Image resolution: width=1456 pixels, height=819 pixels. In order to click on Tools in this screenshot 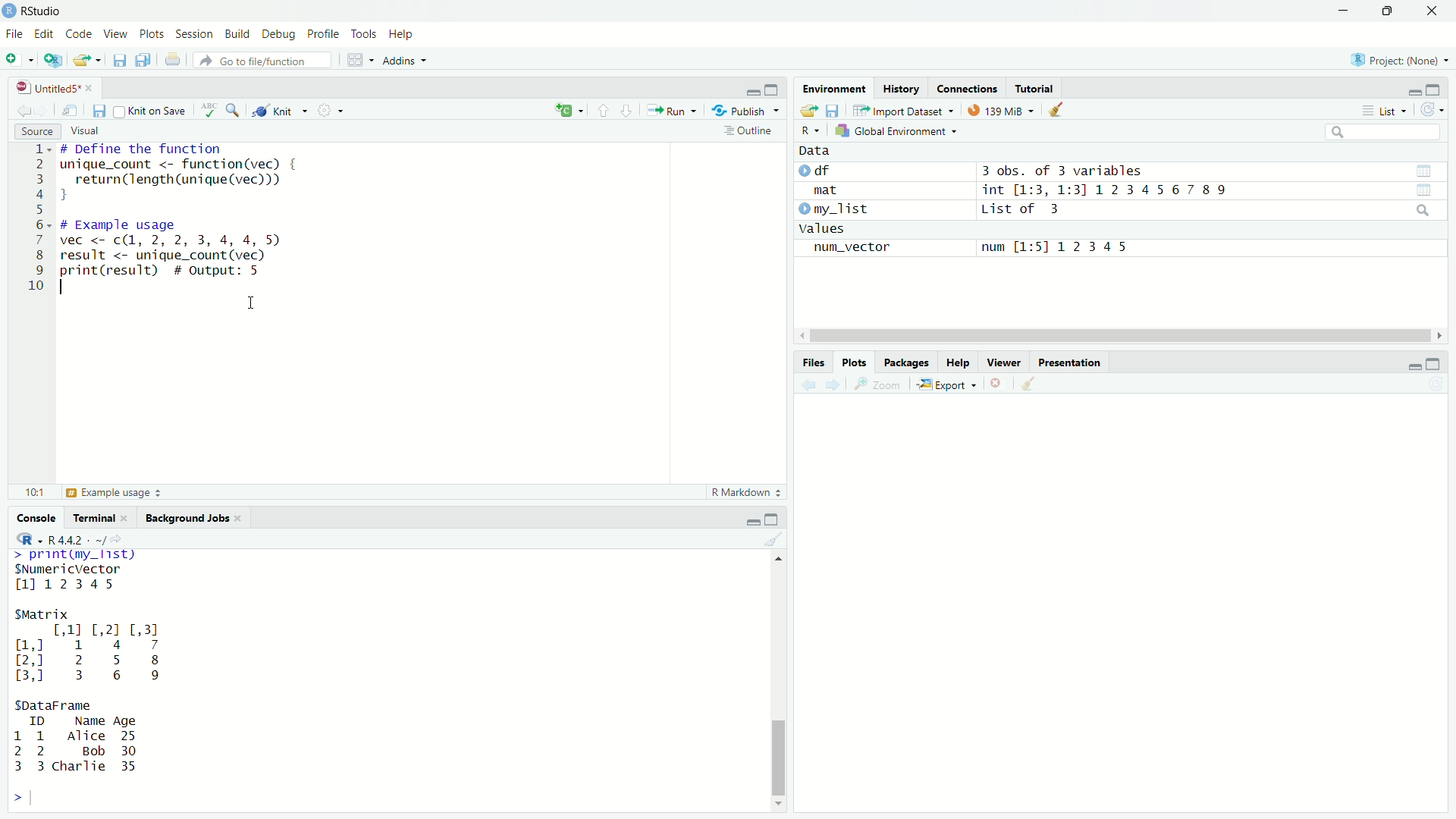, I will do `click(366, 33)`.